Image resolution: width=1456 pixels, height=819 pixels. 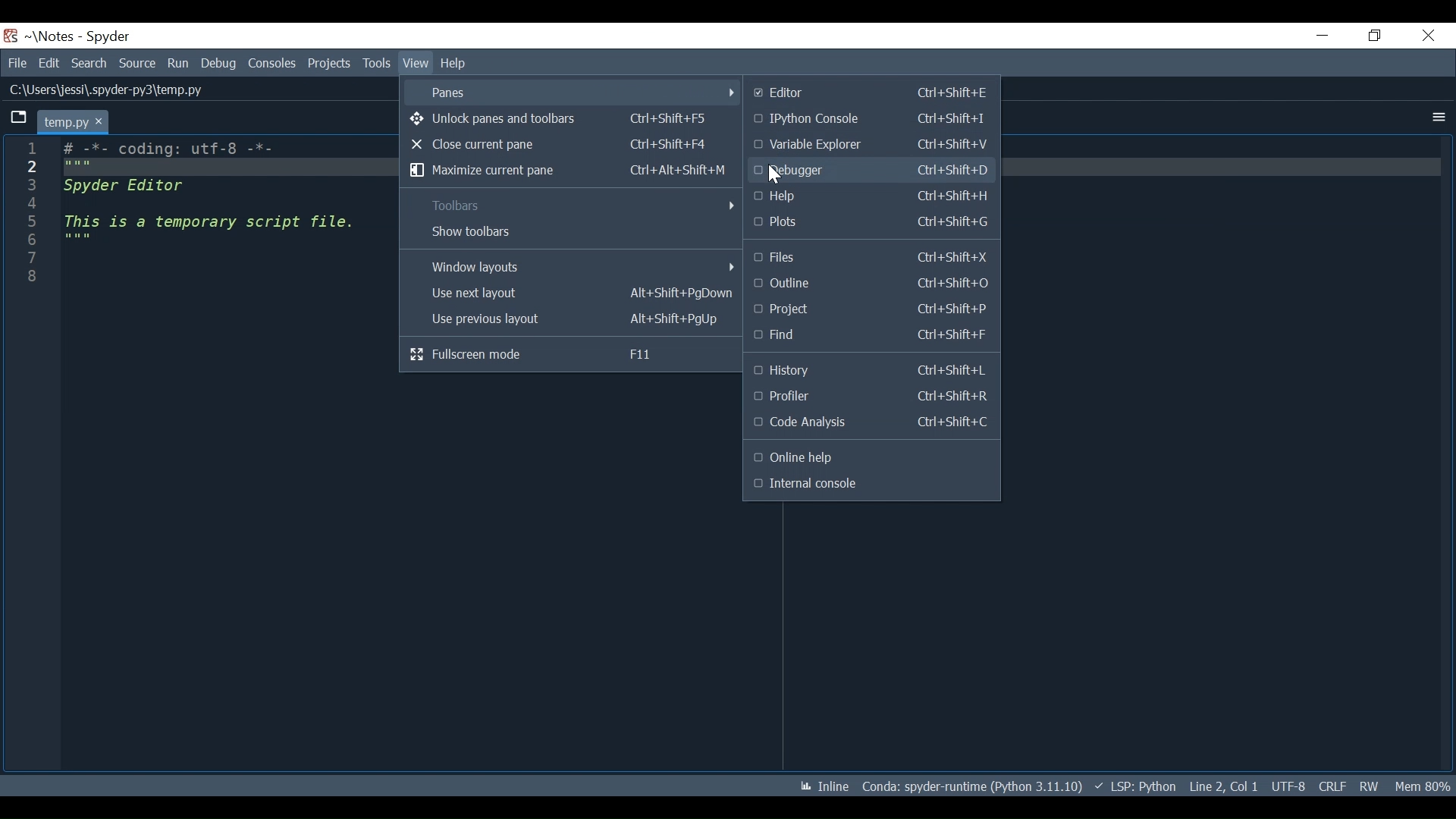 What do you see at coordinates (971, 786) in the screenshot?
I see `Conda Environment Indicator` at bounding box center [971, 786].